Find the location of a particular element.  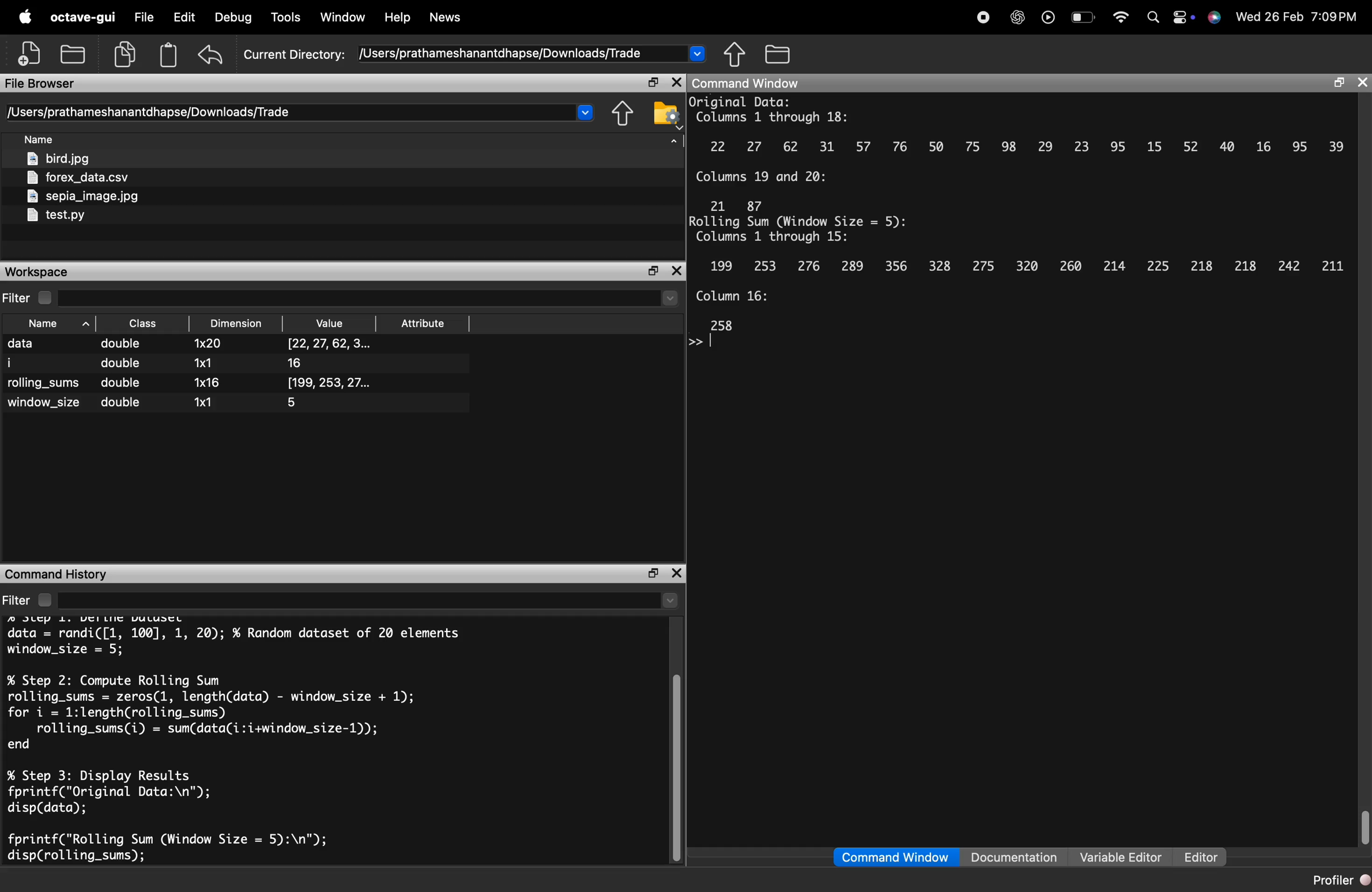

filter is located at coordinates (31, 599).